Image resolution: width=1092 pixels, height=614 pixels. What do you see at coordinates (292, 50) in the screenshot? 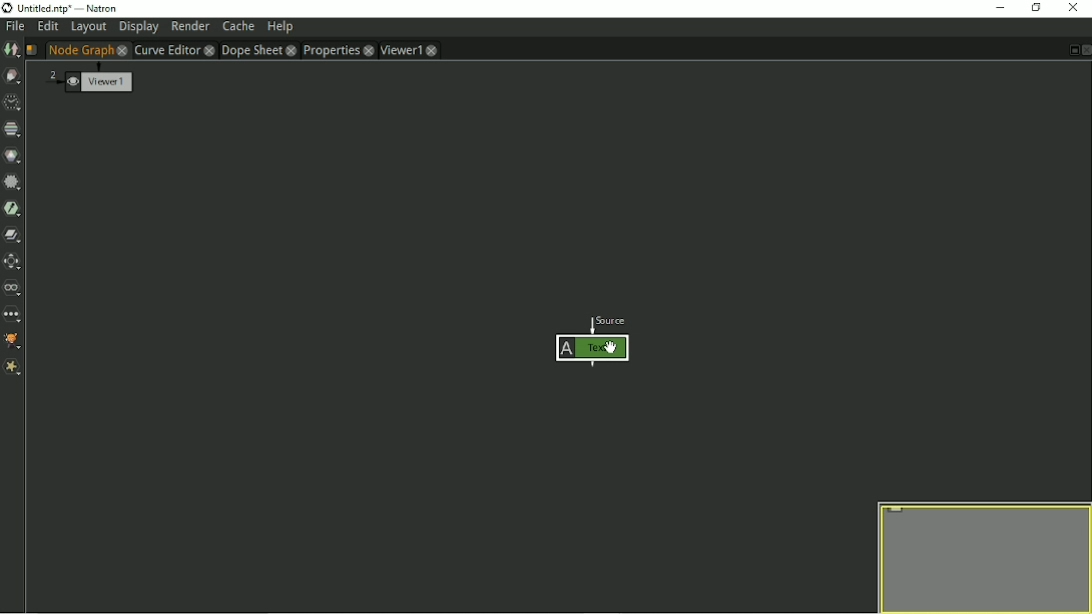
I see `close` at bounding box center [292, 50].